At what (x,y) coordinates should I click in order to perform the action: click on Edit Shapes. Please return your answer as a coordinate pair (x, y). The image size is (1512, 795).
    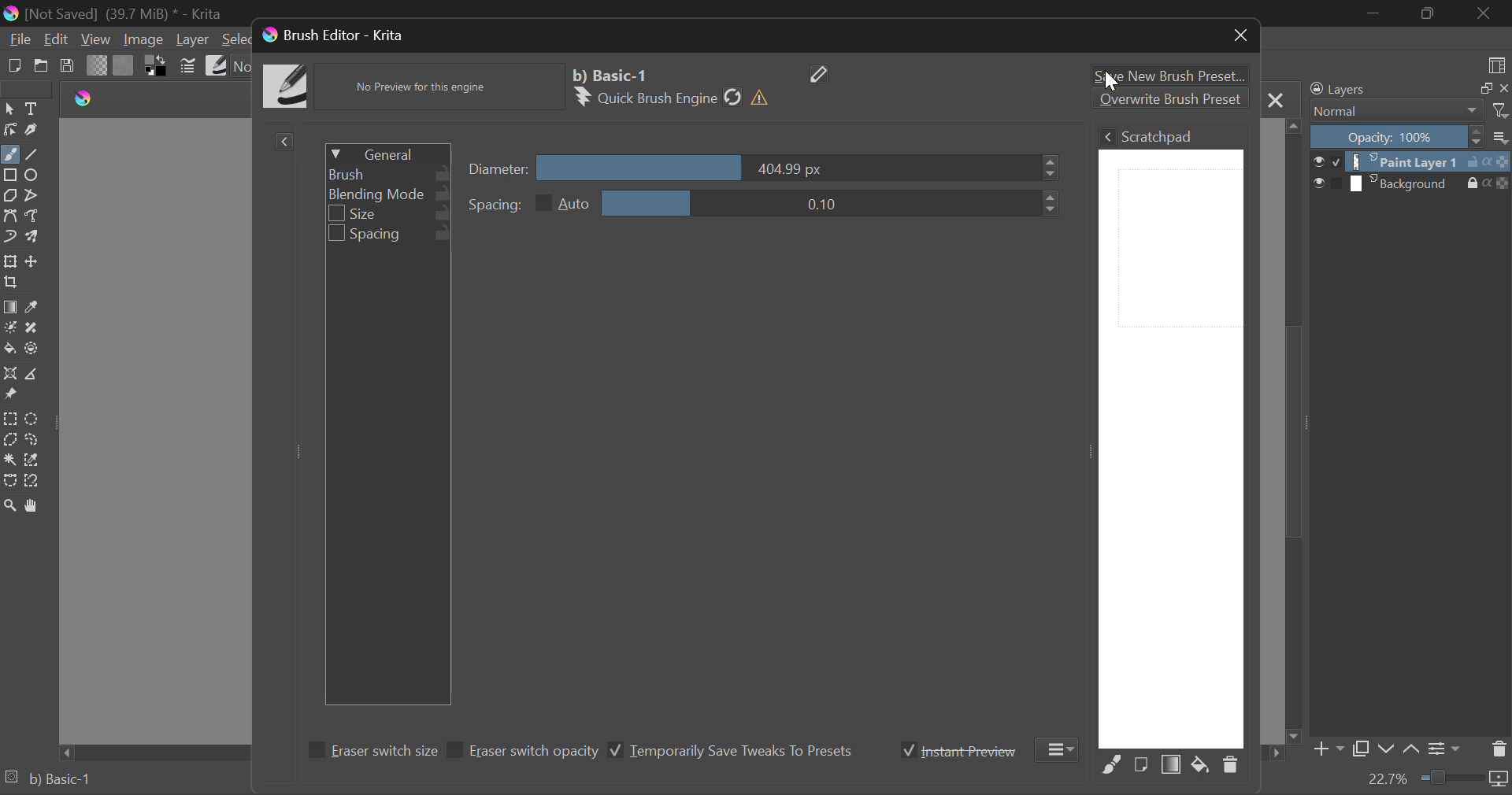
    Looking at the image, I should click on (9, 129).